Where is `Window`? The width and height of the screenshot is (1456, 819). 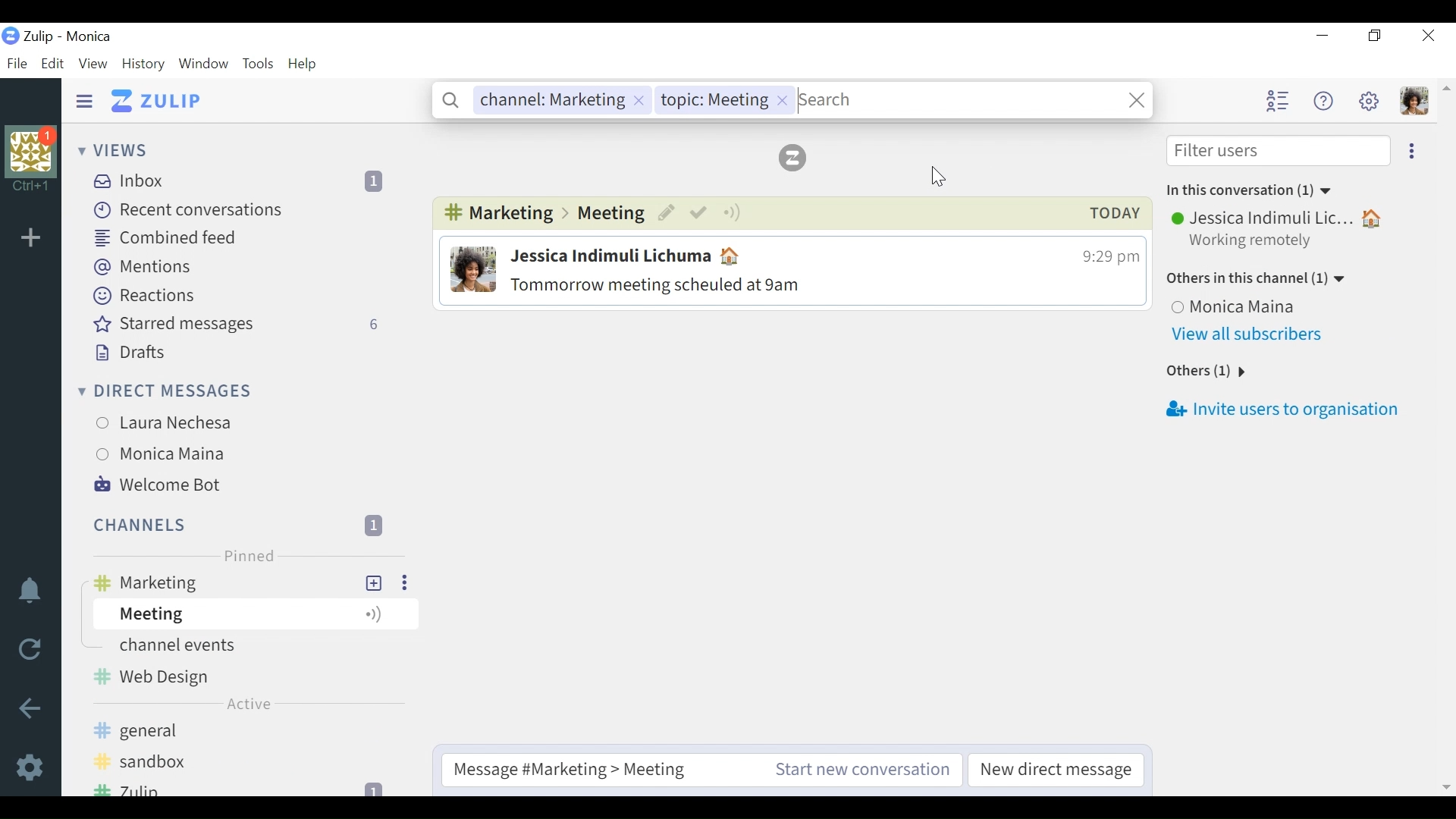 Window is located at coordinates (204, 64).